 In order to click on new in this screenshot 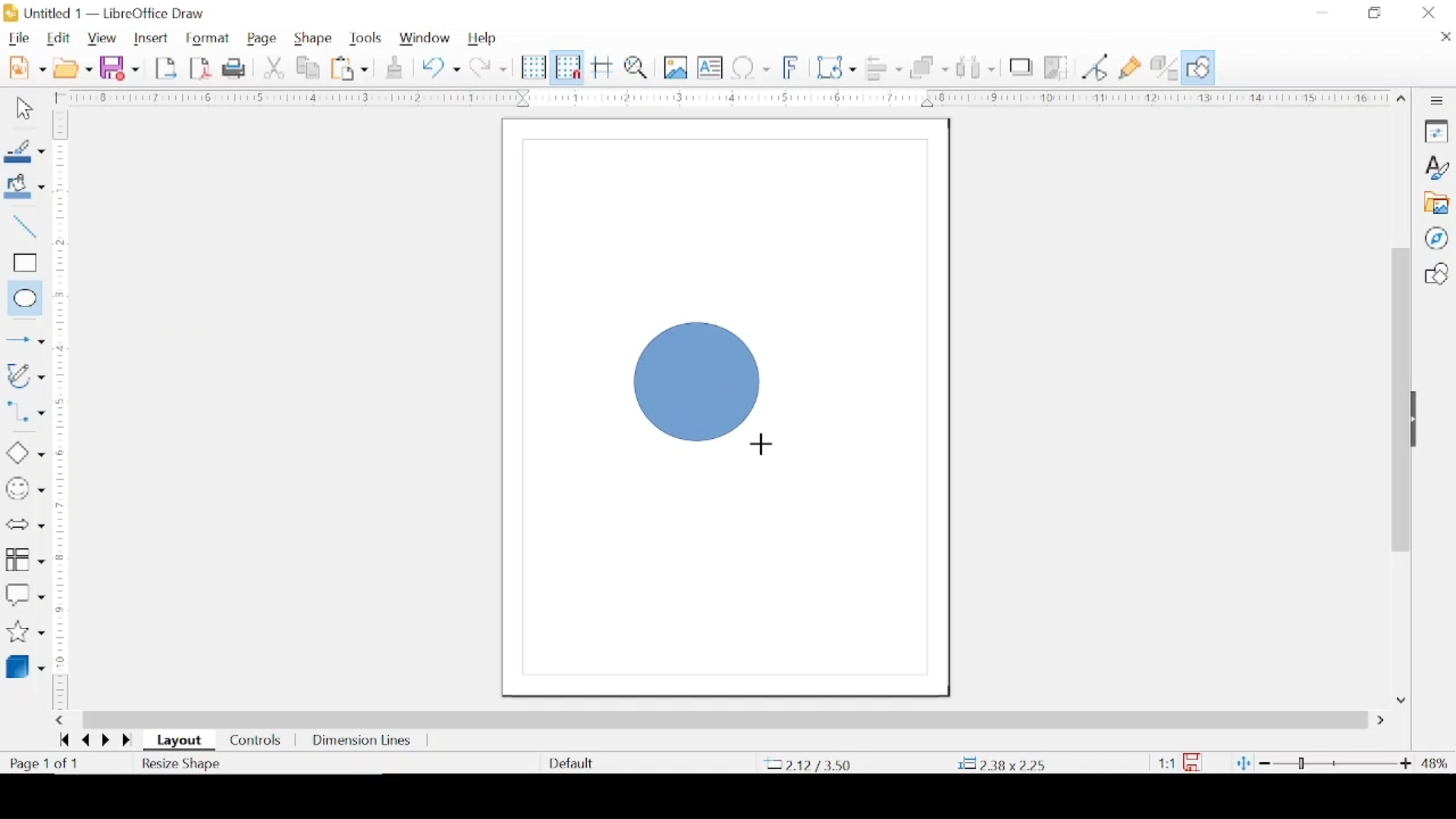, I will do `click(27, 67)`.